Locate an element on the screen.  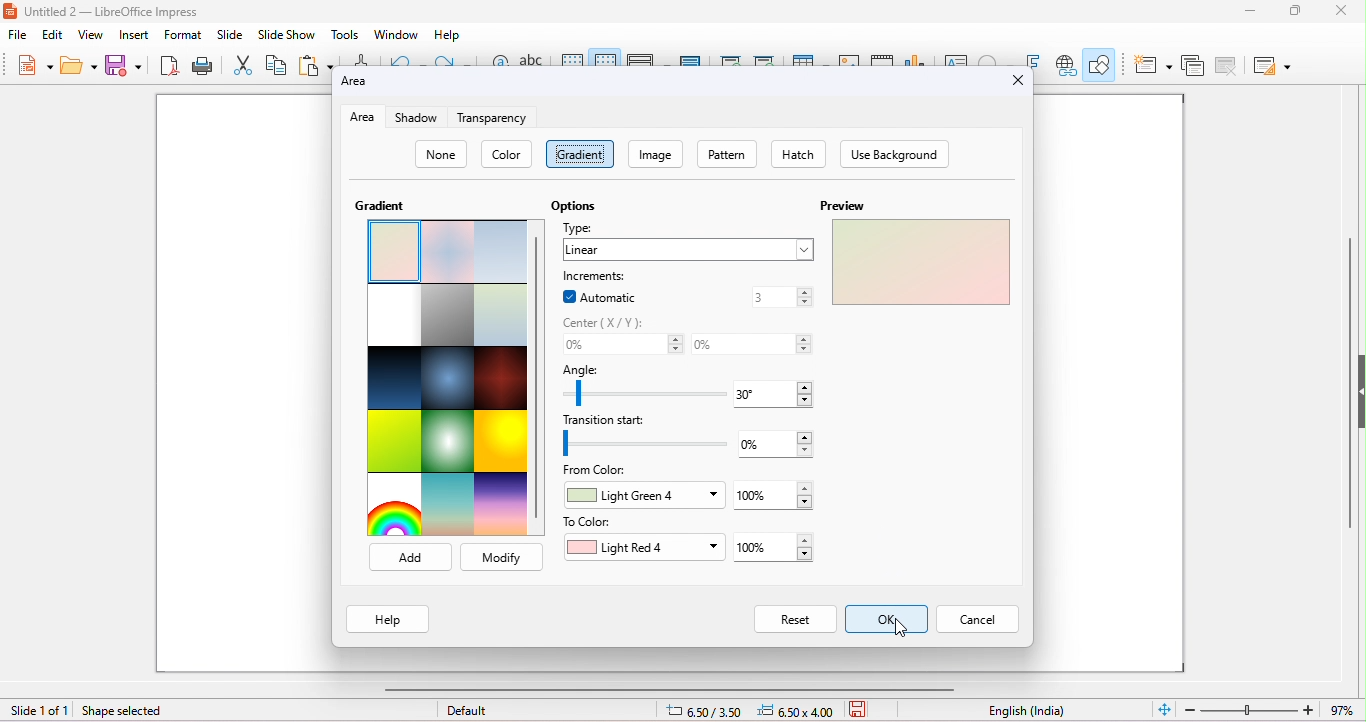
transparency is located at coordinates (492, 117).